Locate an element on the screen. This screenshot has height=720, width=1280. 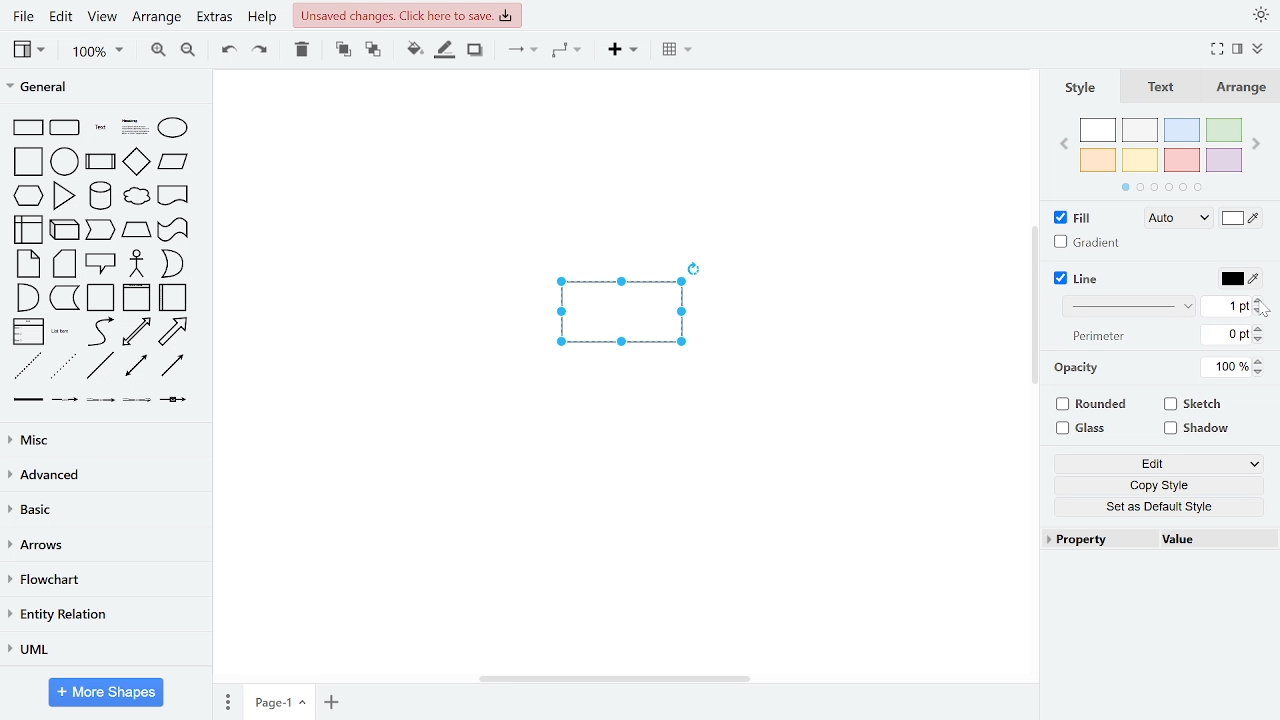
unsaved changes . Click here to save is located at coordinates (407, 15).